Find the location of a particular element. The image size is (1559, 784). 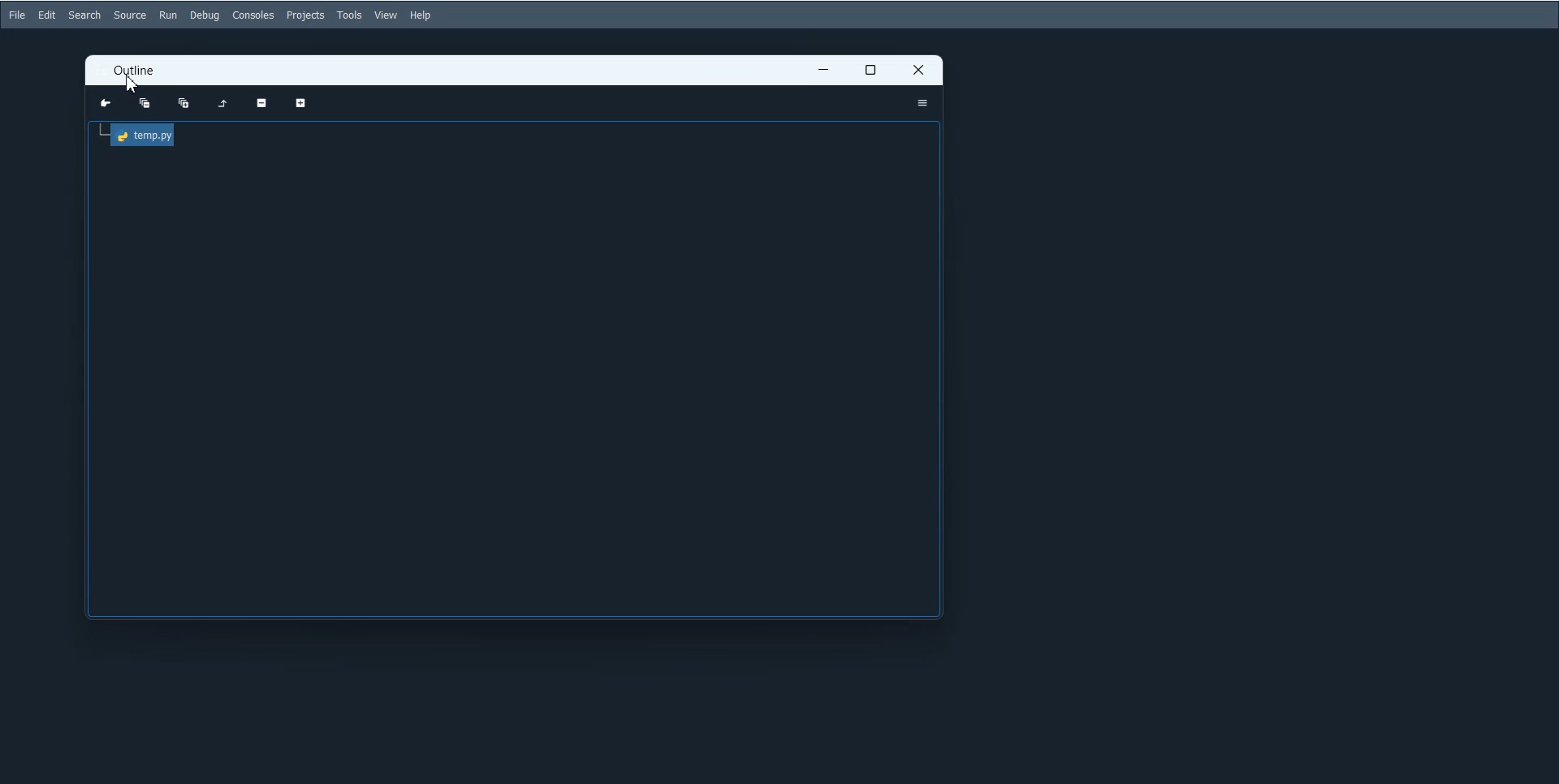

Help is located at coordinates (422, 15).